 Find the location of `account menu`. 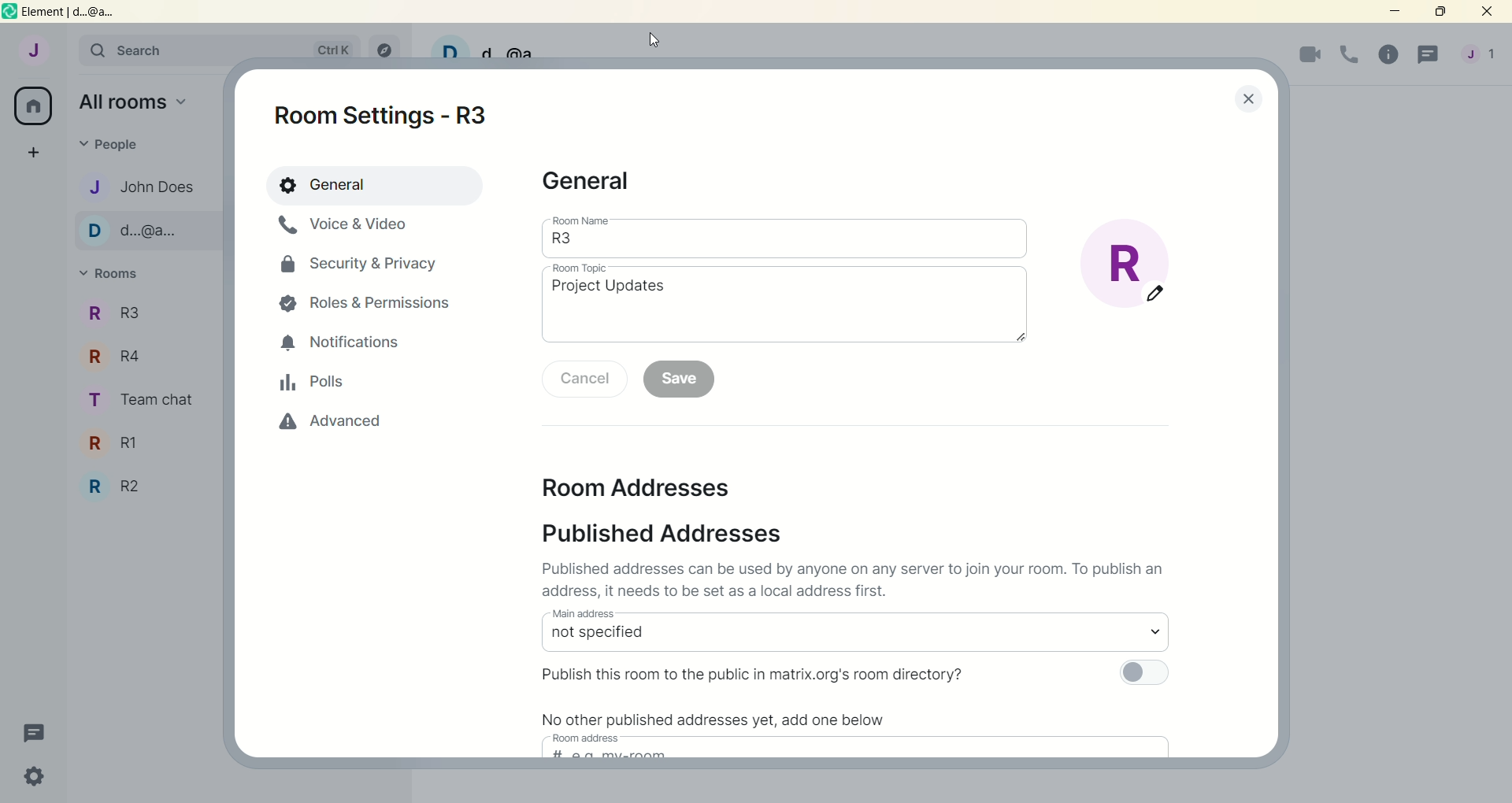

account menu is located at coordinates (1480, 56).